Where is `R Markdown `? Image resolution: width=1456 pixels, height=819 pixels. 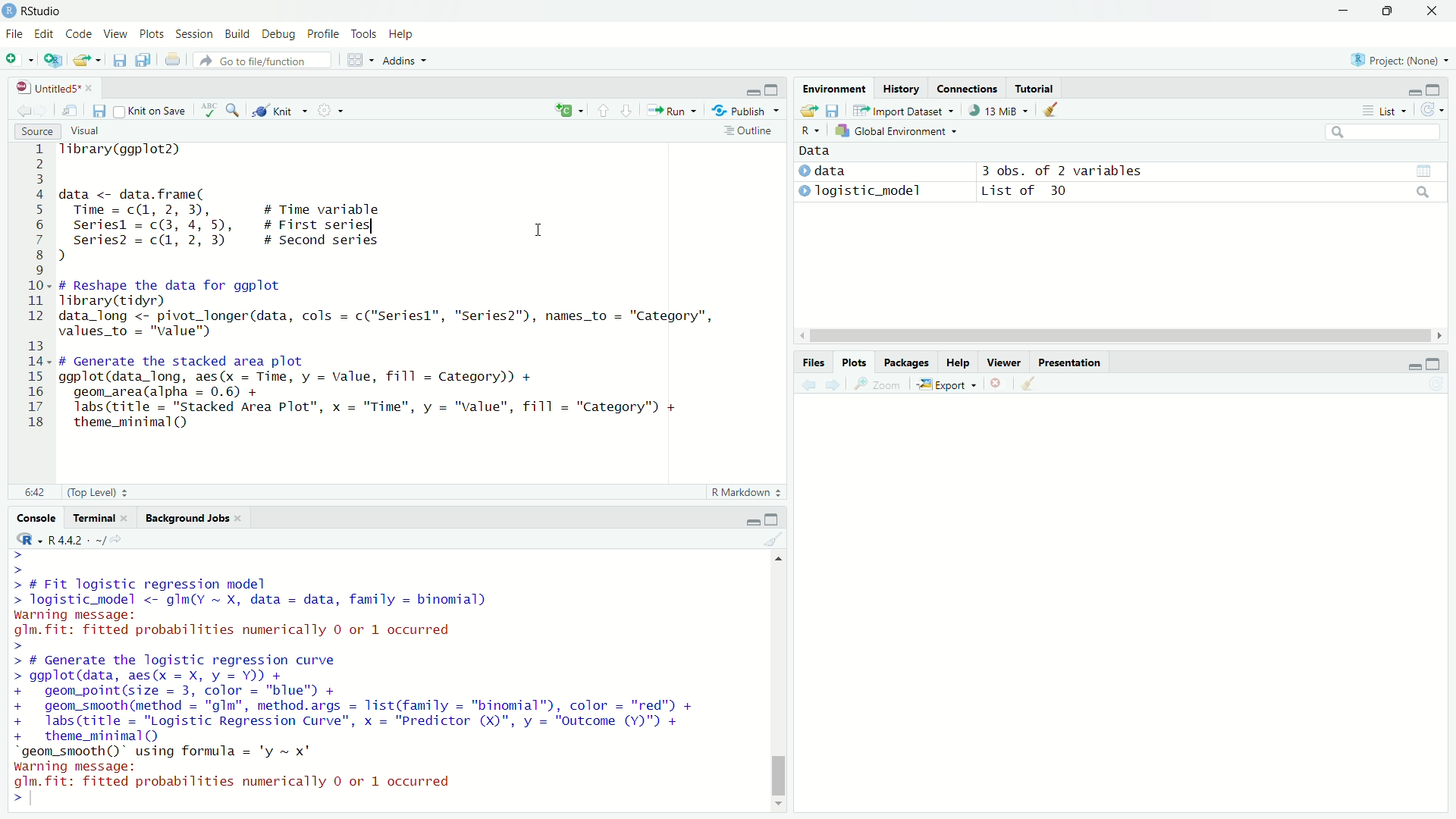
R Markdown  is located at coordinates (733, 490).